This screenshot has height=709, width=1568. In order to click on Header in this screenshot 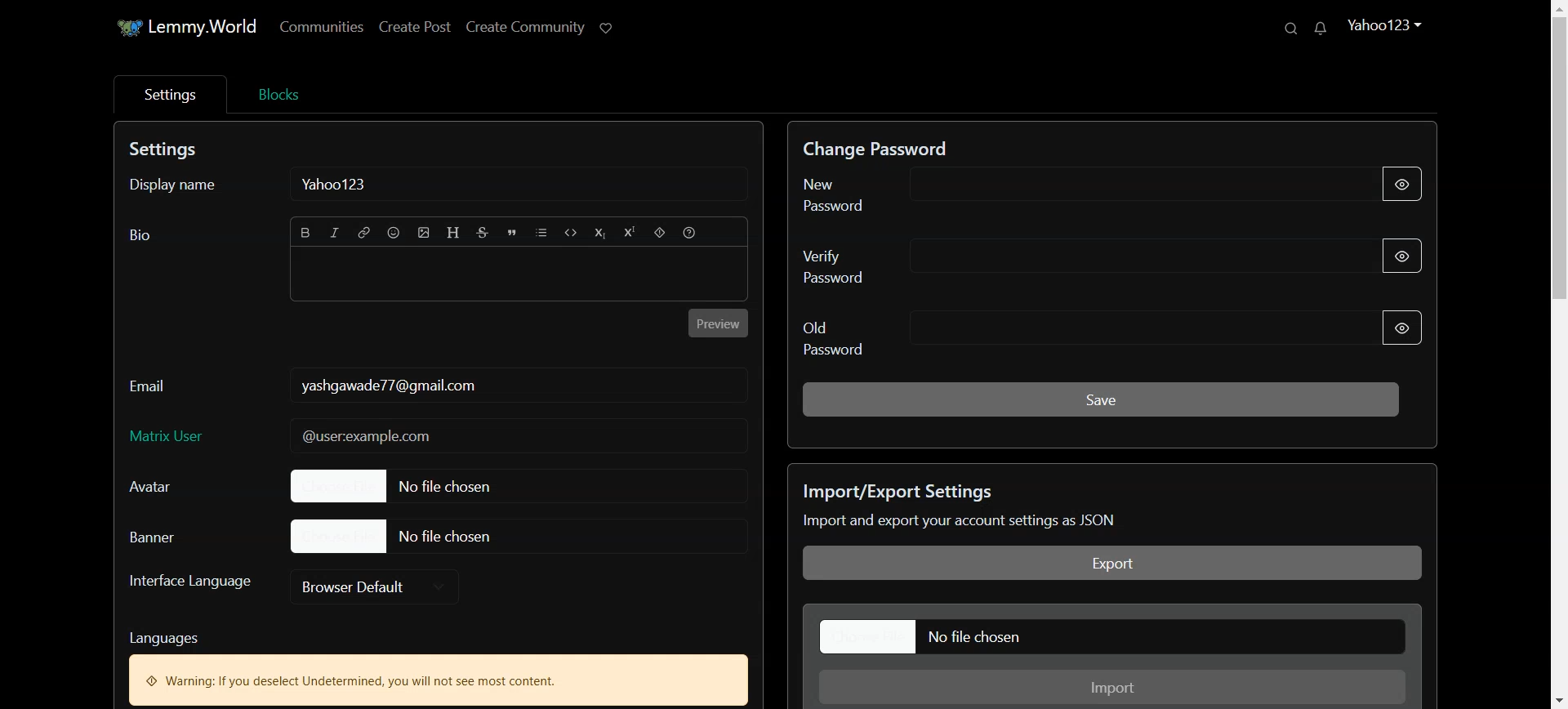, I will do `click(455, 233)`.